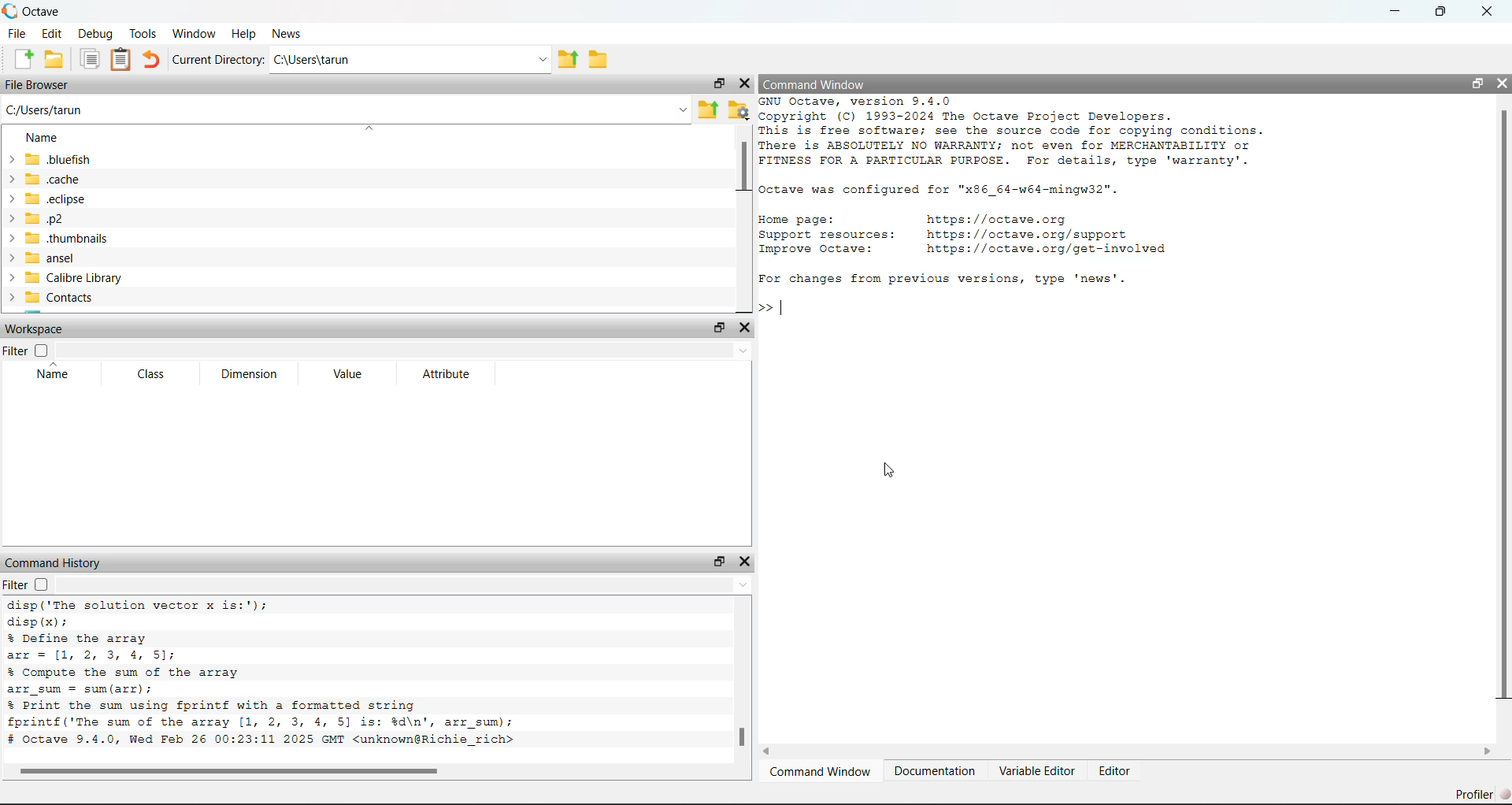 The height and width of the screenshot is (805, 1512). Describe the element at coordinates (1486, 752) in the screenshot. I see `Scroll bar right` at that location.